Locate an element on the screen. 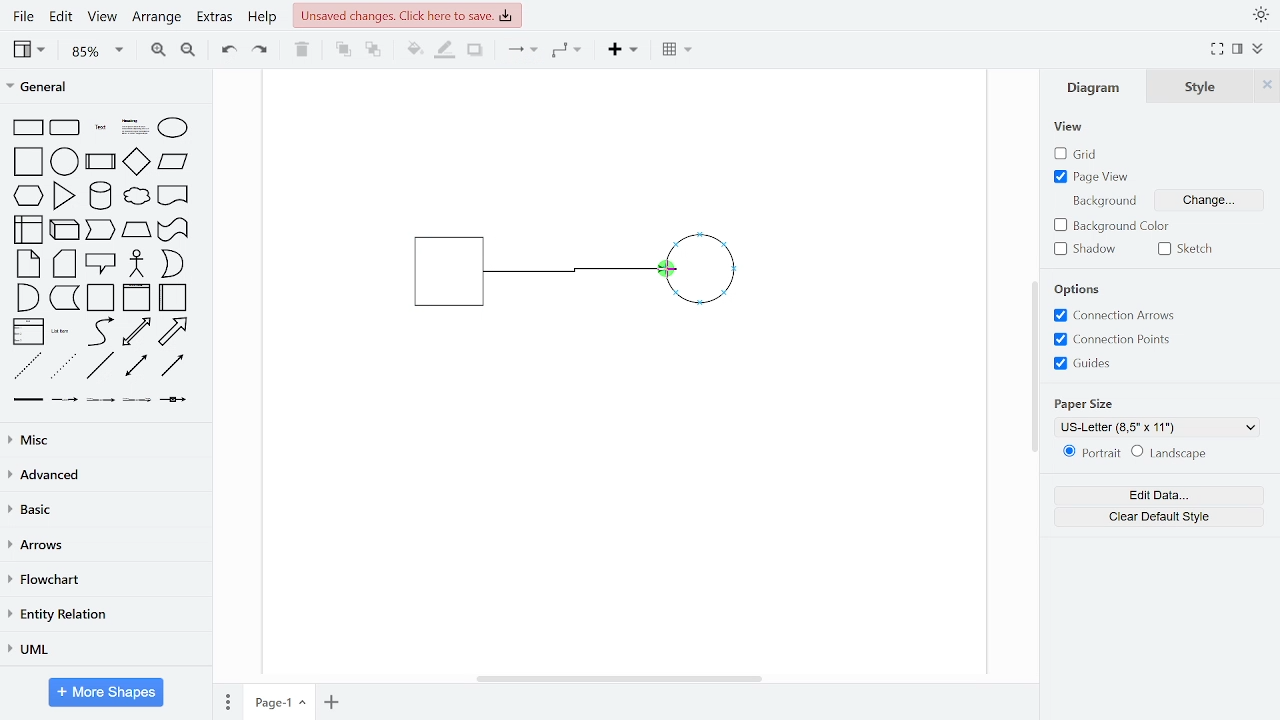 This screenshot has height=720, width=1280. bidirectional connector is located at coordinates (138, 366).